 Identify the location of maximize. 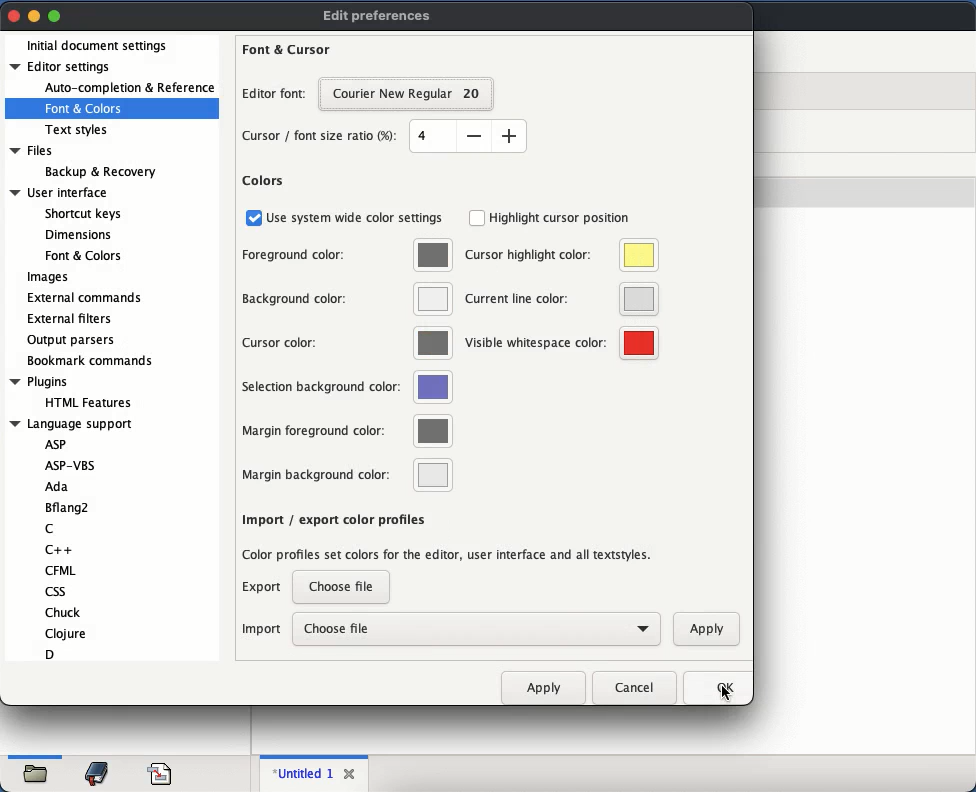
(56, 15).